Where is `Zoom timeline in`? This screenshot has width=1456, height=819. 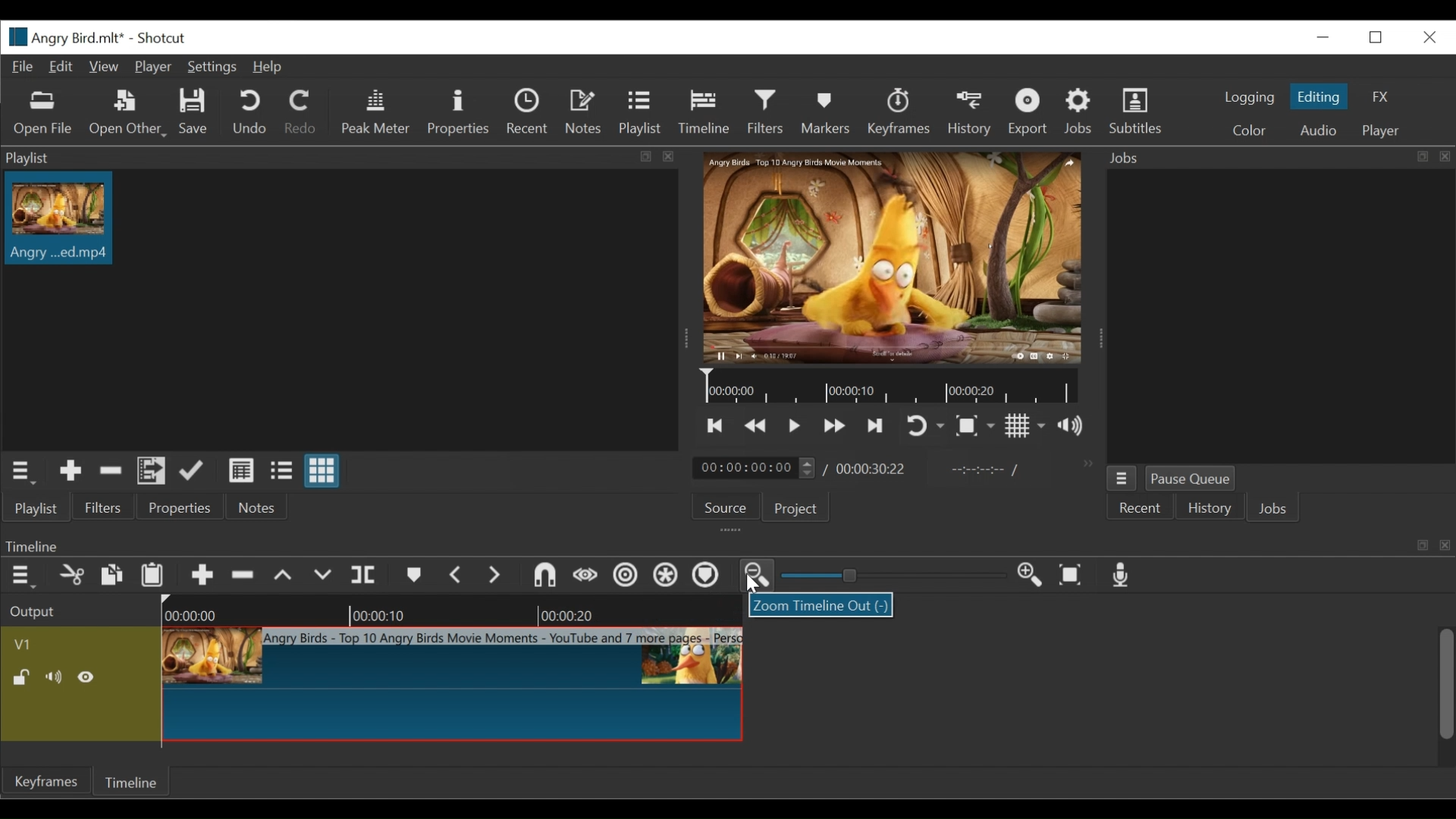
Zoom timeline in is located at coordinates (1026, 573).